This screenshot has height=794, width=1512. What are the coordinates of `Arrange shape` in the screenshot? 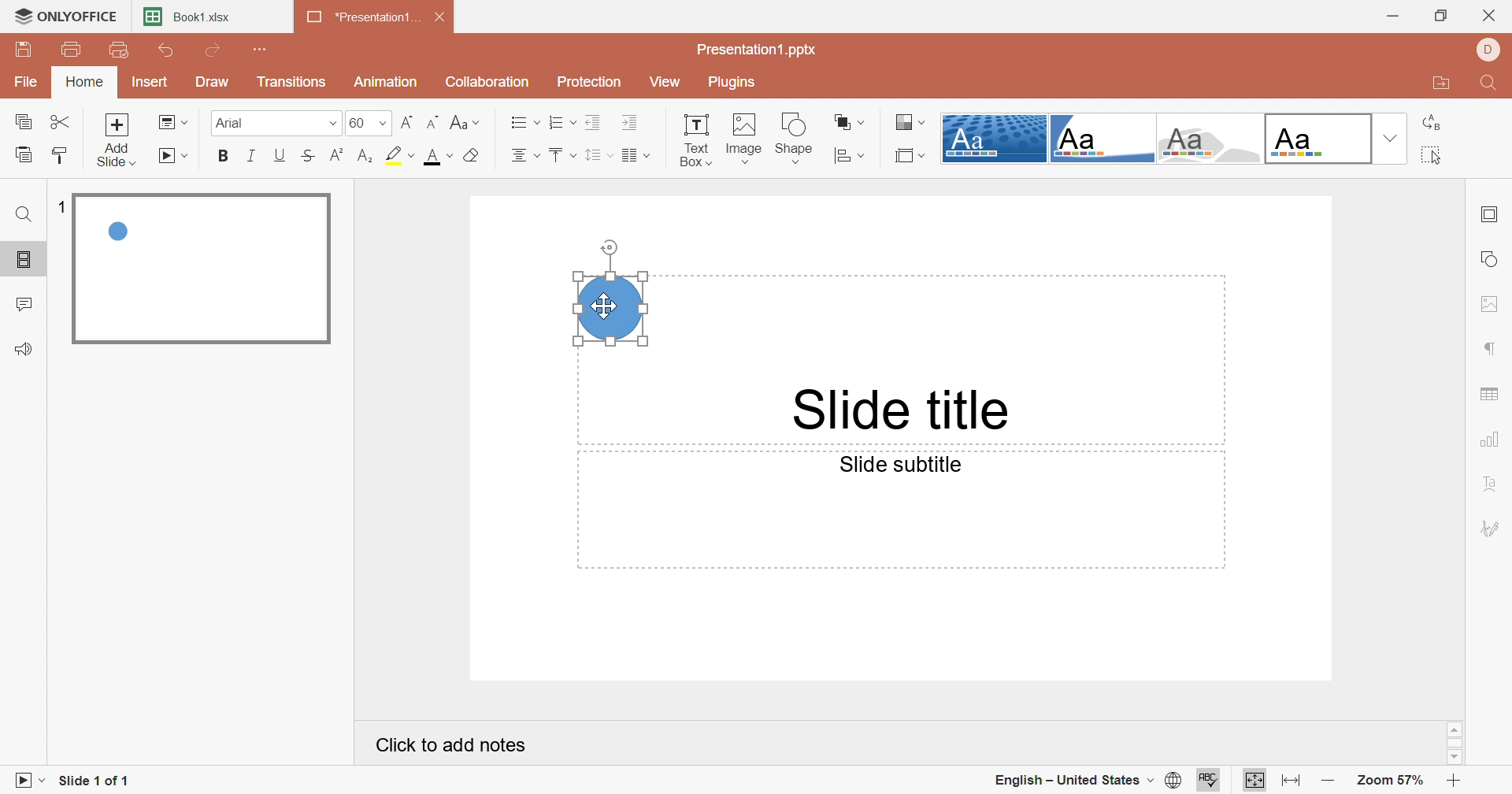 It's located at (849, 121).